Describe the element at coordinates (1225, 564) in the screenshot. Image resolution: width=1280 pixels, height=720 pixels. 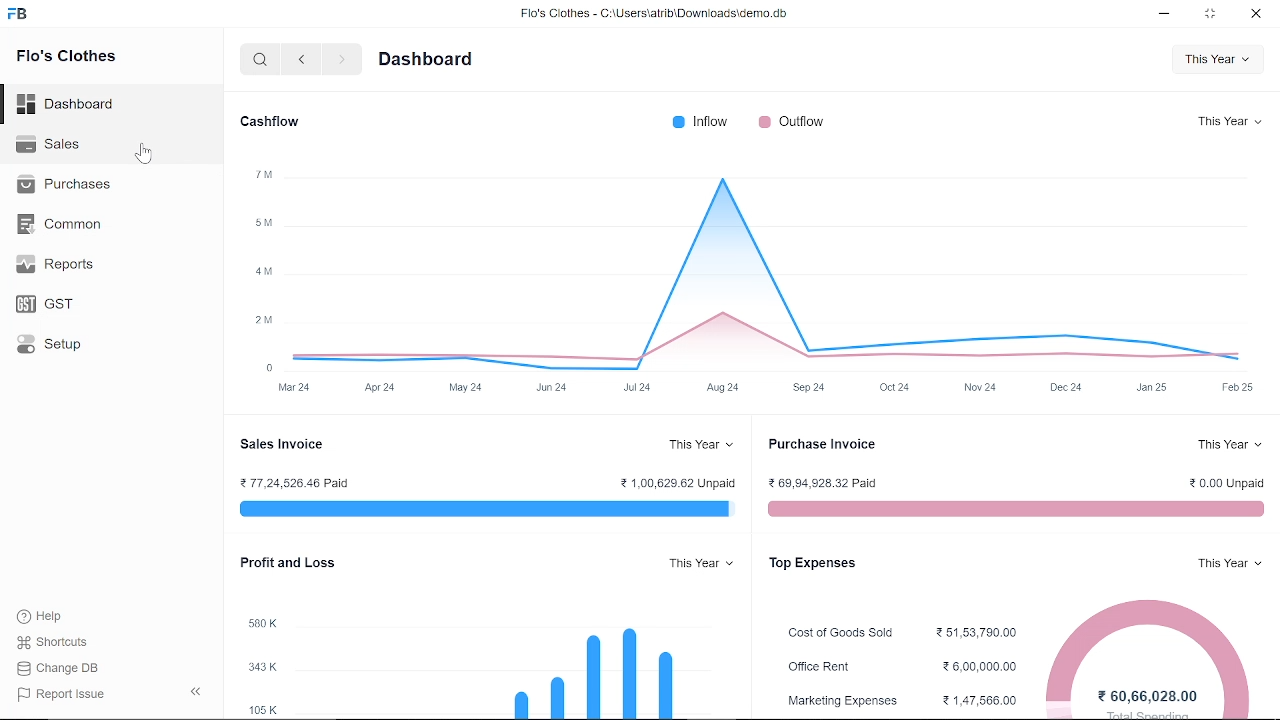
I see `this year` at that location.